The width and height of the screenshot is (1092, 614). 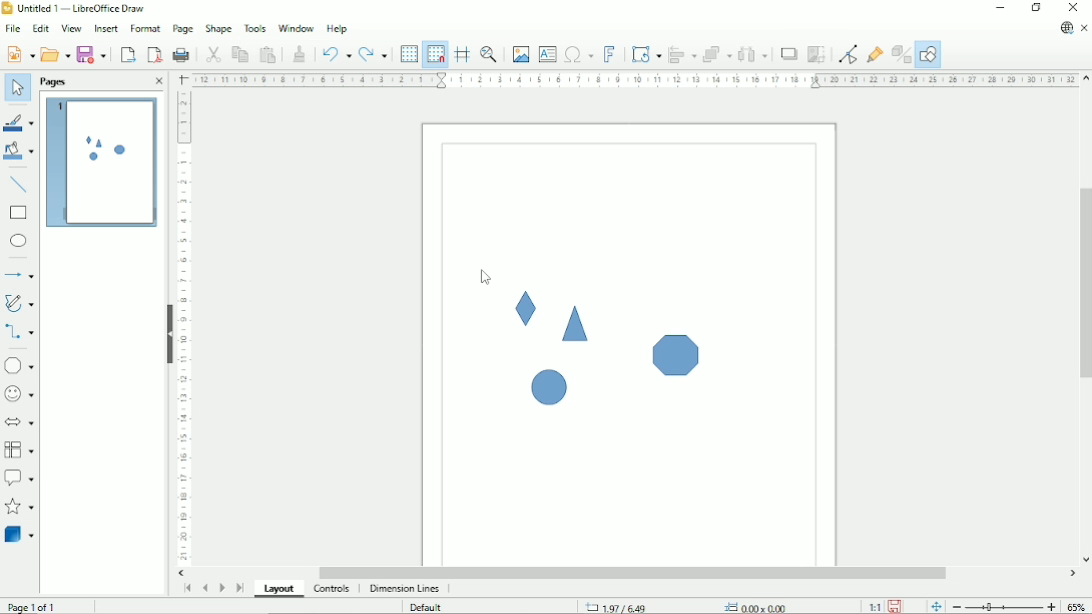 I want to click on Toggle extrusion, so click(x=902, y=53).